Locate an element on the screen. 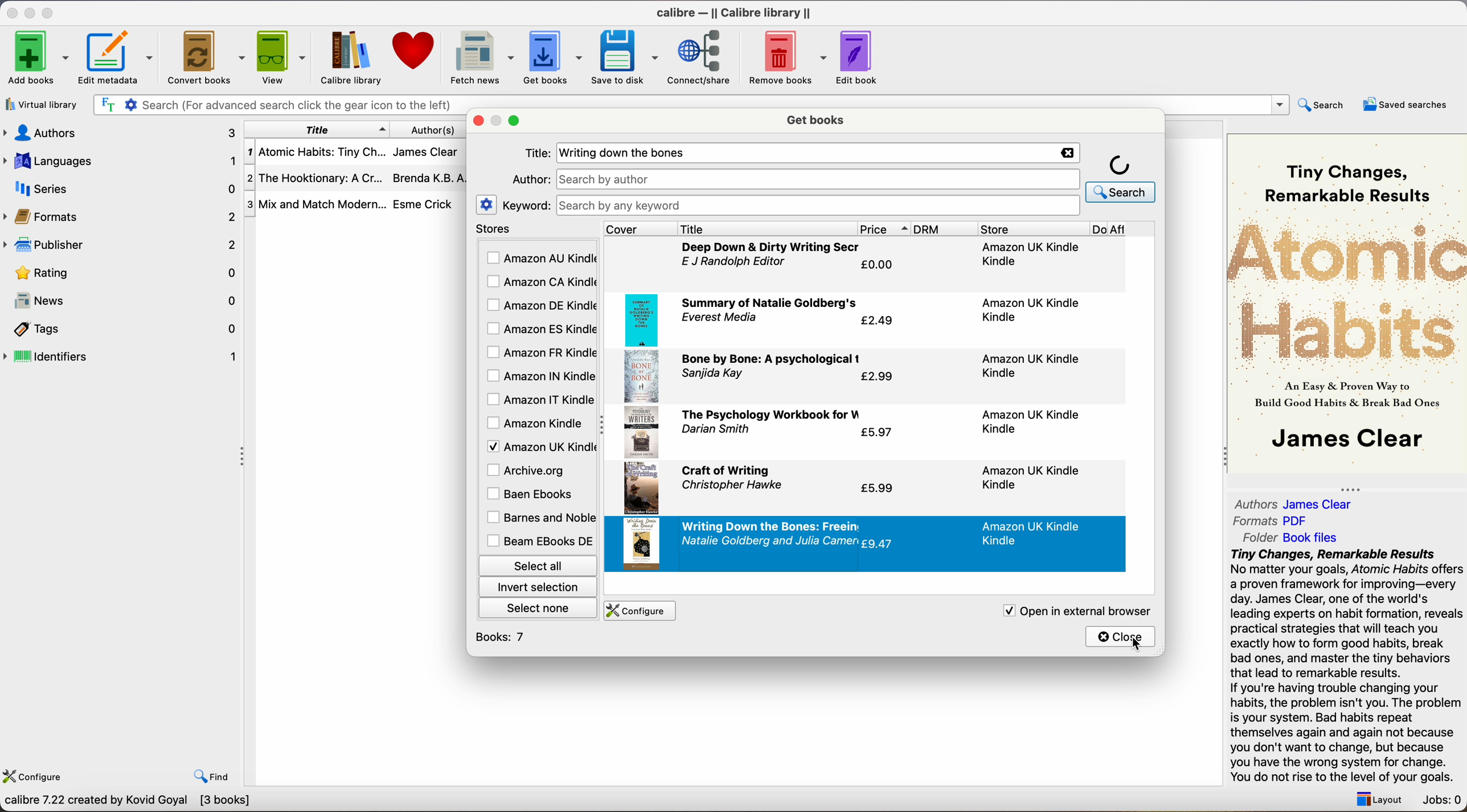 The image size is (1467, 812). store is located at coordinates (1032, 229).